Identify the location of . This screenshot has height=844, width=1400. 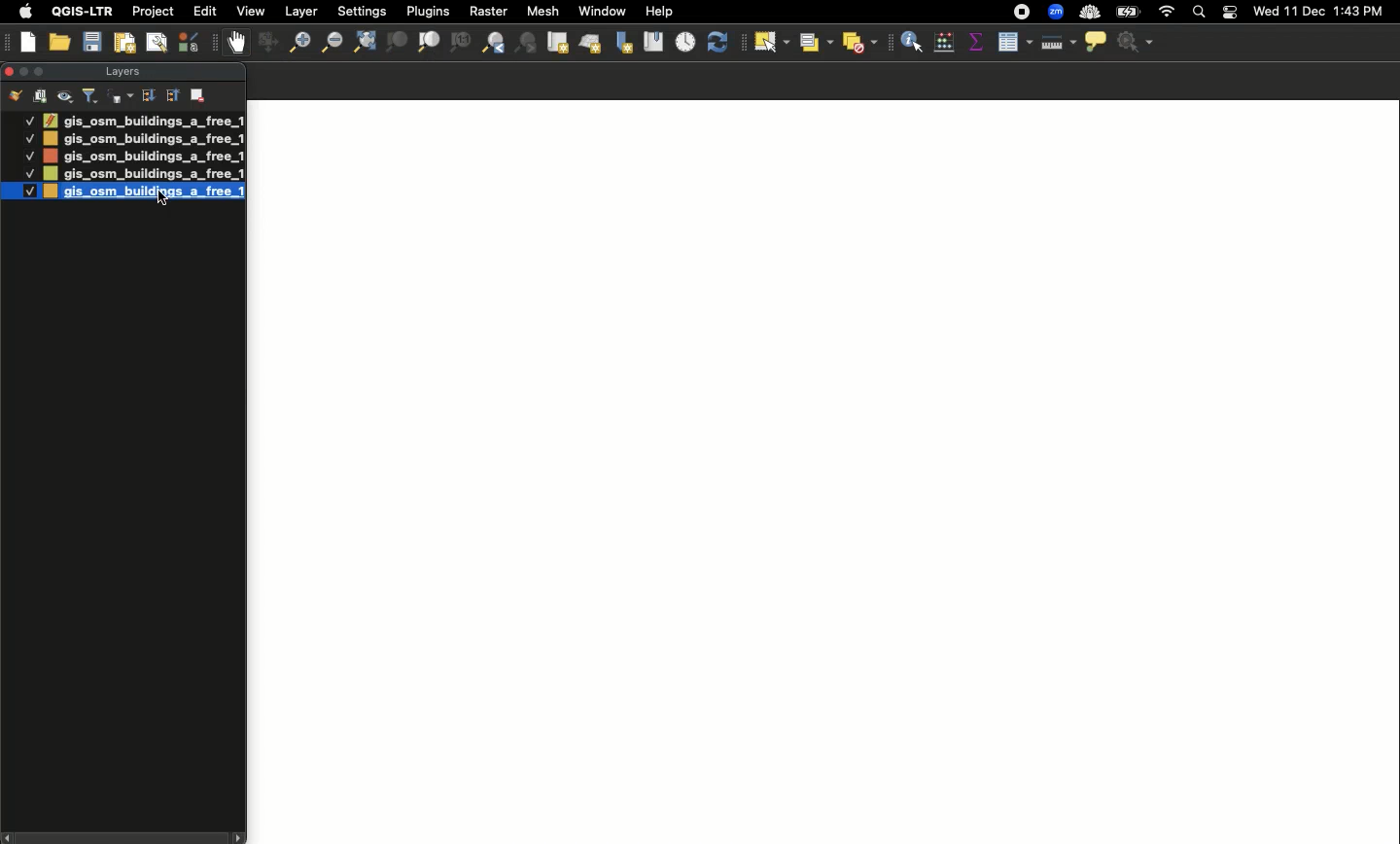
(9, 43).